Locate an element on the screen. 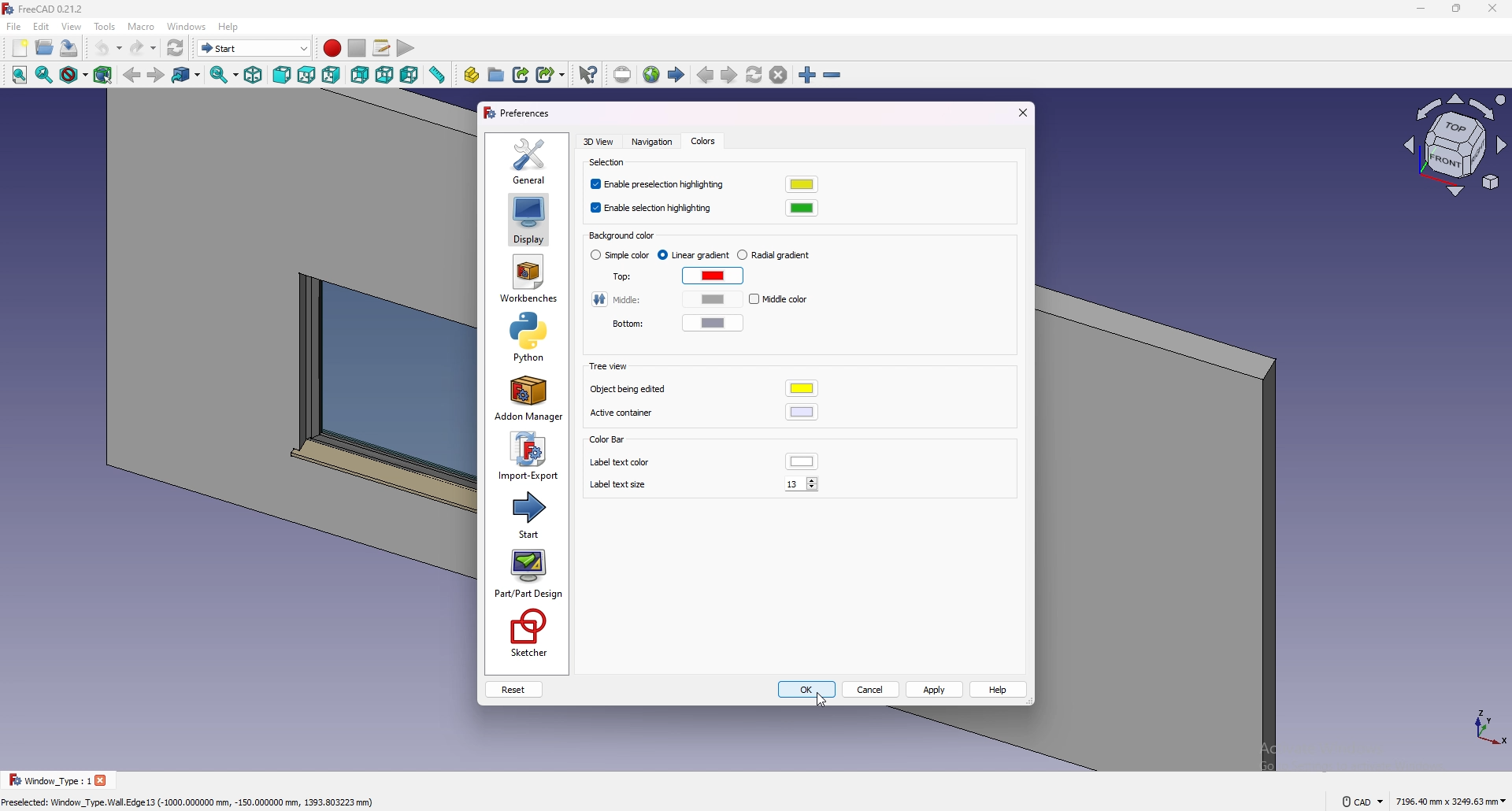 This screenshot has height=811, width=1512. linear gradient is located at coordinates (694, 255).